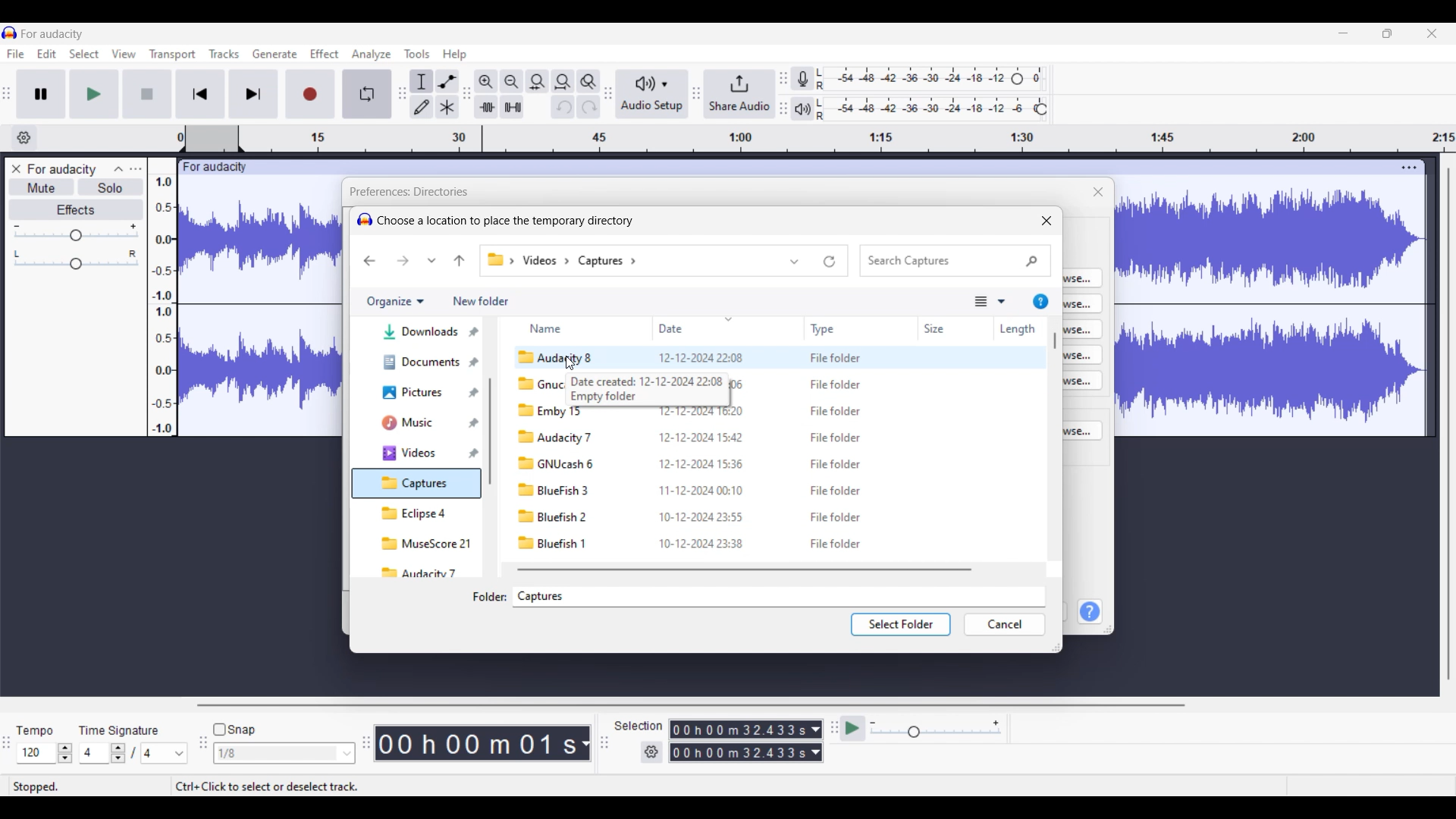 This screenshot has width=1456, height=819. What do you see at coordinates (702, 412) in the screenshot?
I see `12-12-2024 16:20` at bounding box center [702, 412].